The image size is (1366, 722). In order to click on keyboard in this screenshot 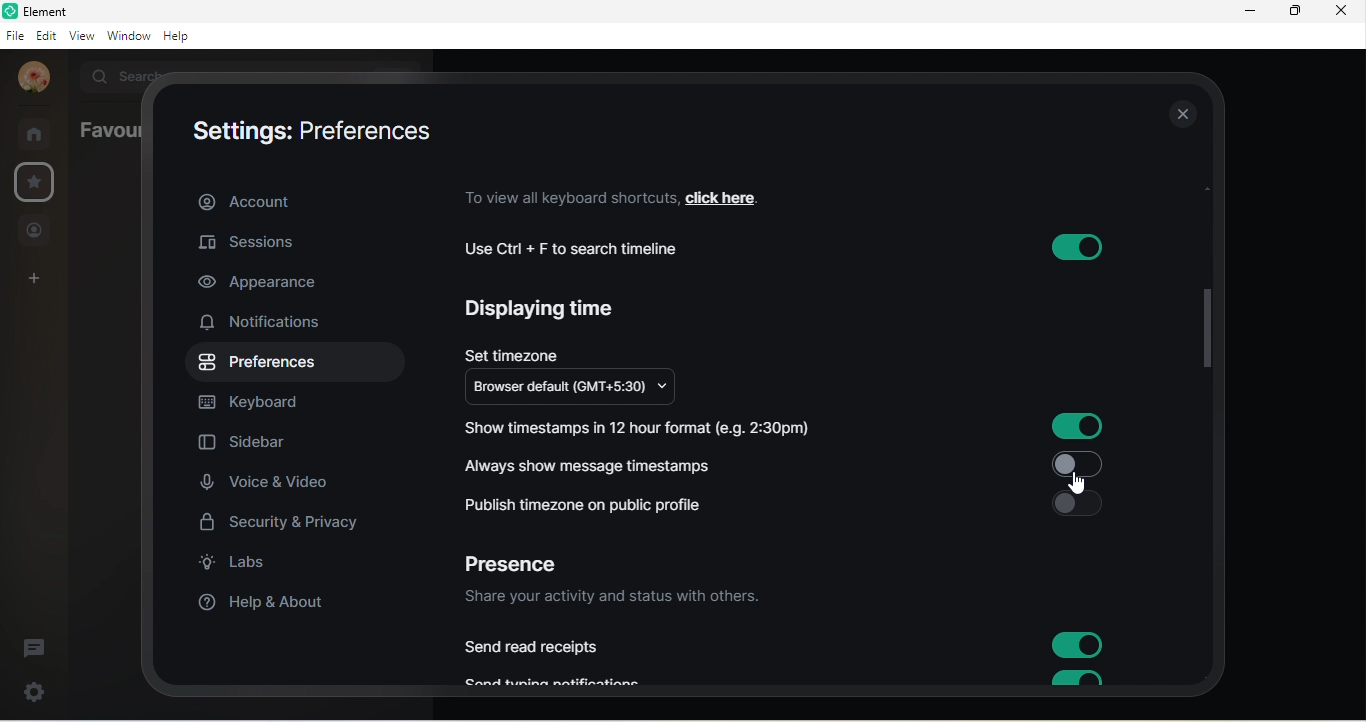, I will do `click(264, 402)`.